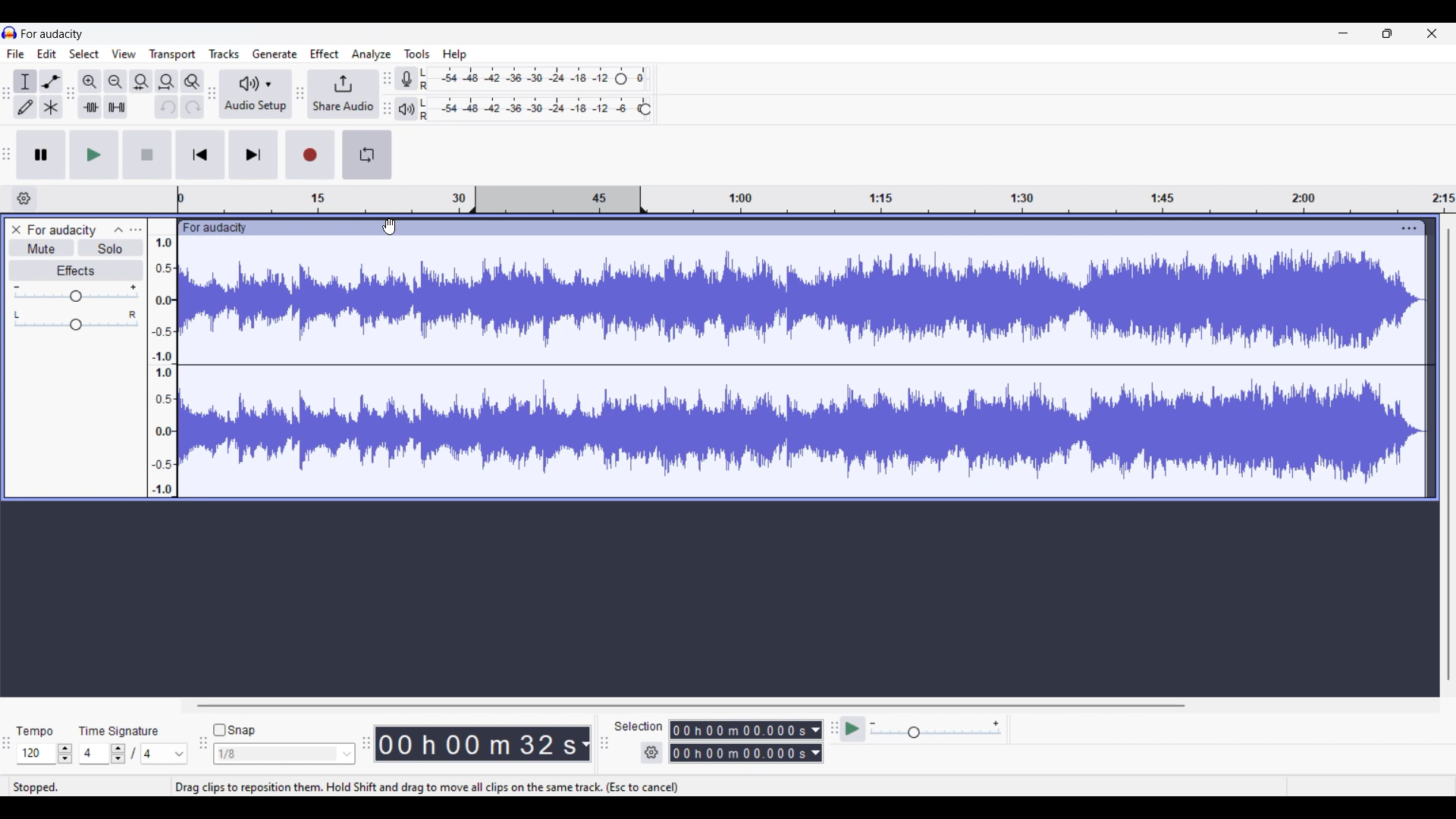 This screenshot has width=1456, height=819. Describe the element at coordinates (192, 107) in the screenshot. I see `Redo` at that location.